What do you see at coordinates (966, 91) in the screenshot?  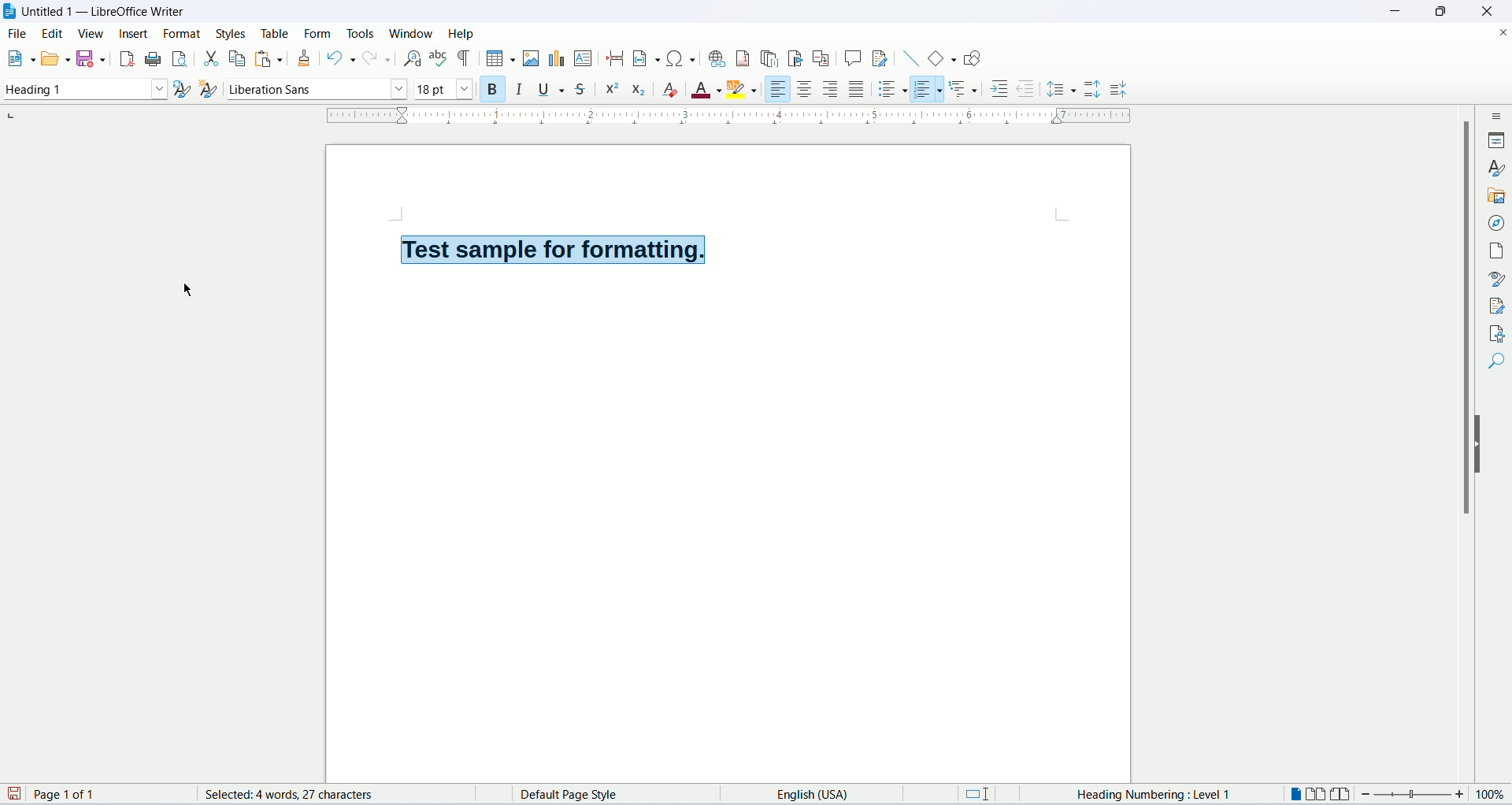 I see `format outline` at bounding box center [966, 91].